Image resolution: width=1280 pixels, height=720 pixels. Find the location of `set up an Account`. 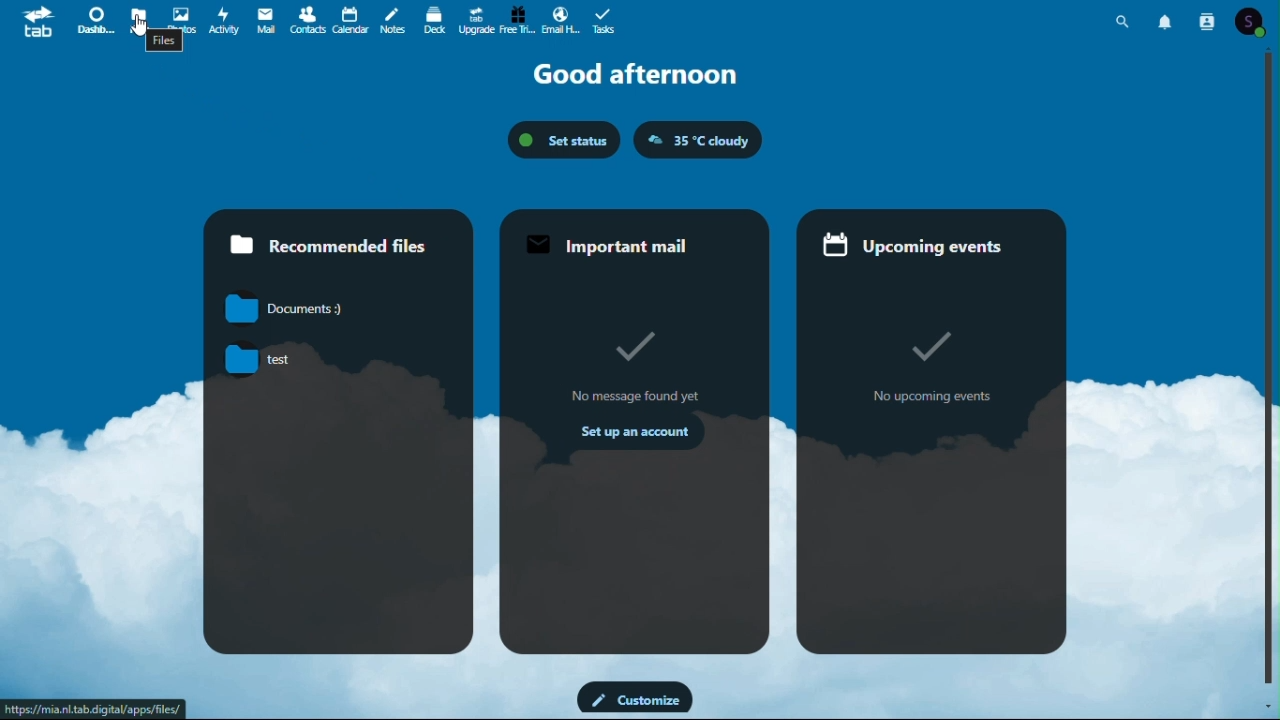

set up an Account is located at coordinates (633, 436).